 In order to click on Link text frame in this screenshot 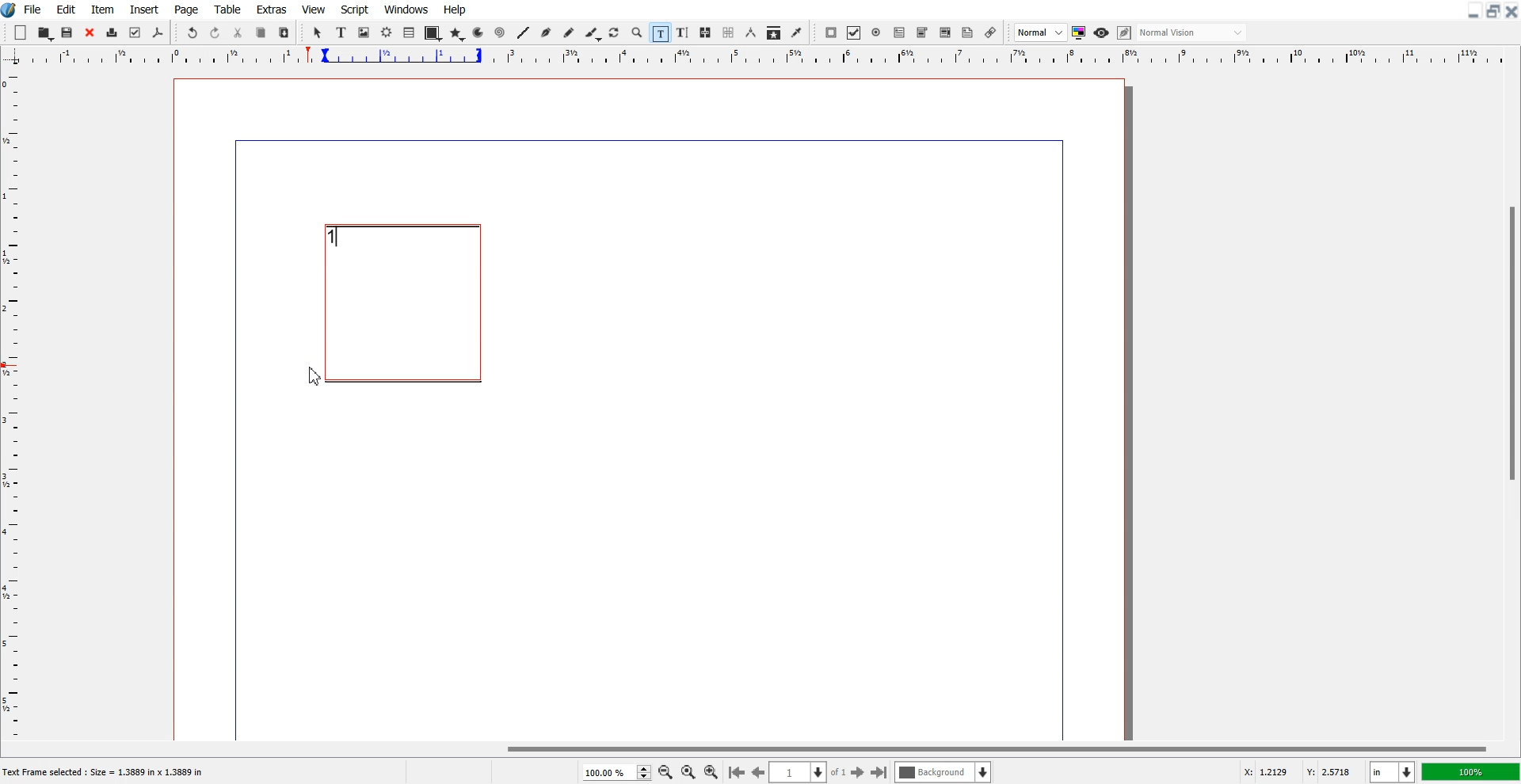, I will do `click(706, 33)`.